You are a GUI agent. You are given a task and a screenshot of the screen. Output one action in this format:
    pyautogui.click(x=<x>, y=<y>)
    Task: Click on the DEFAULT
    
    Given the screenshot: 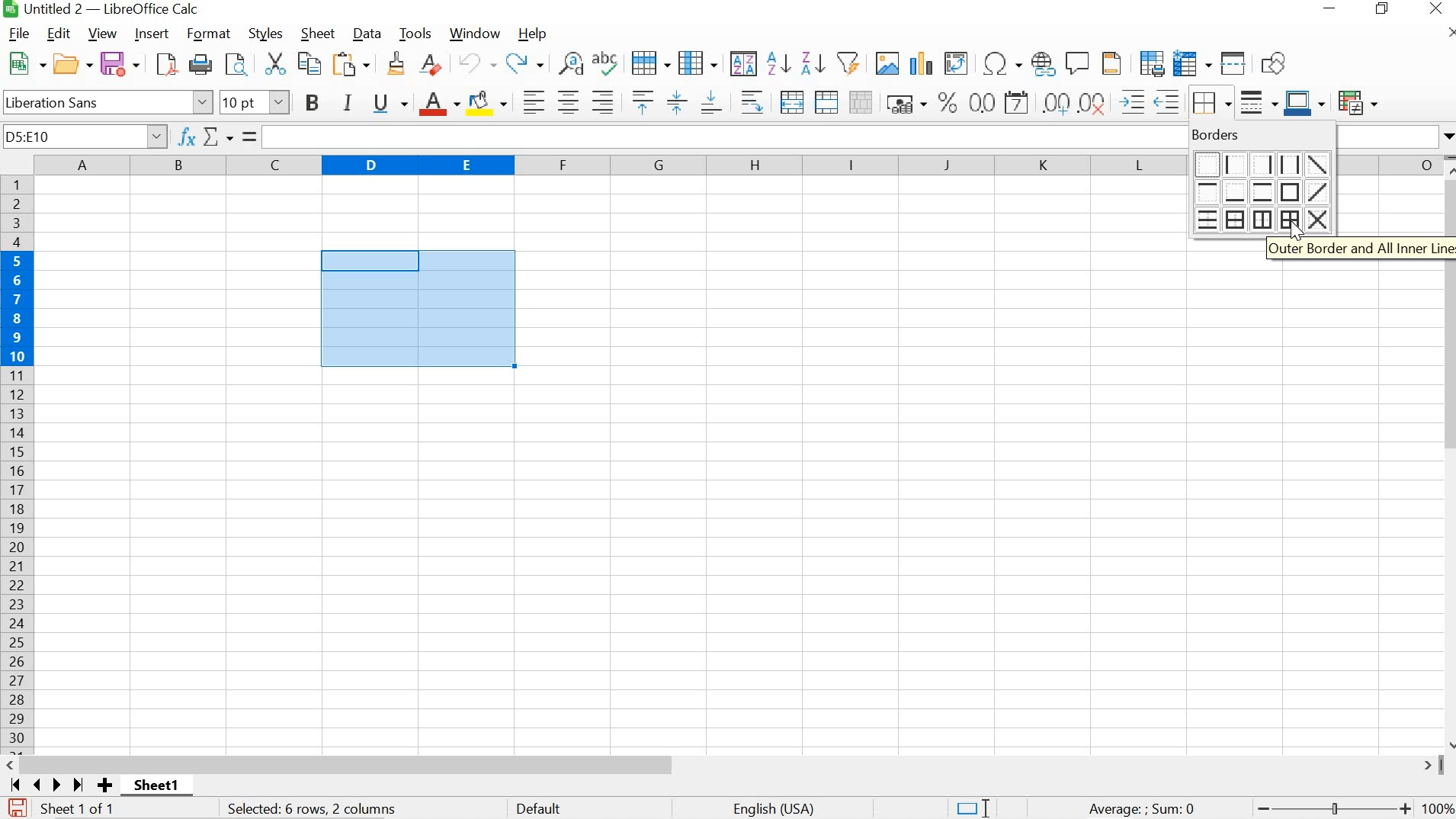 What is the action you would take?
    pyautogui.click(x=542, y=810)
    